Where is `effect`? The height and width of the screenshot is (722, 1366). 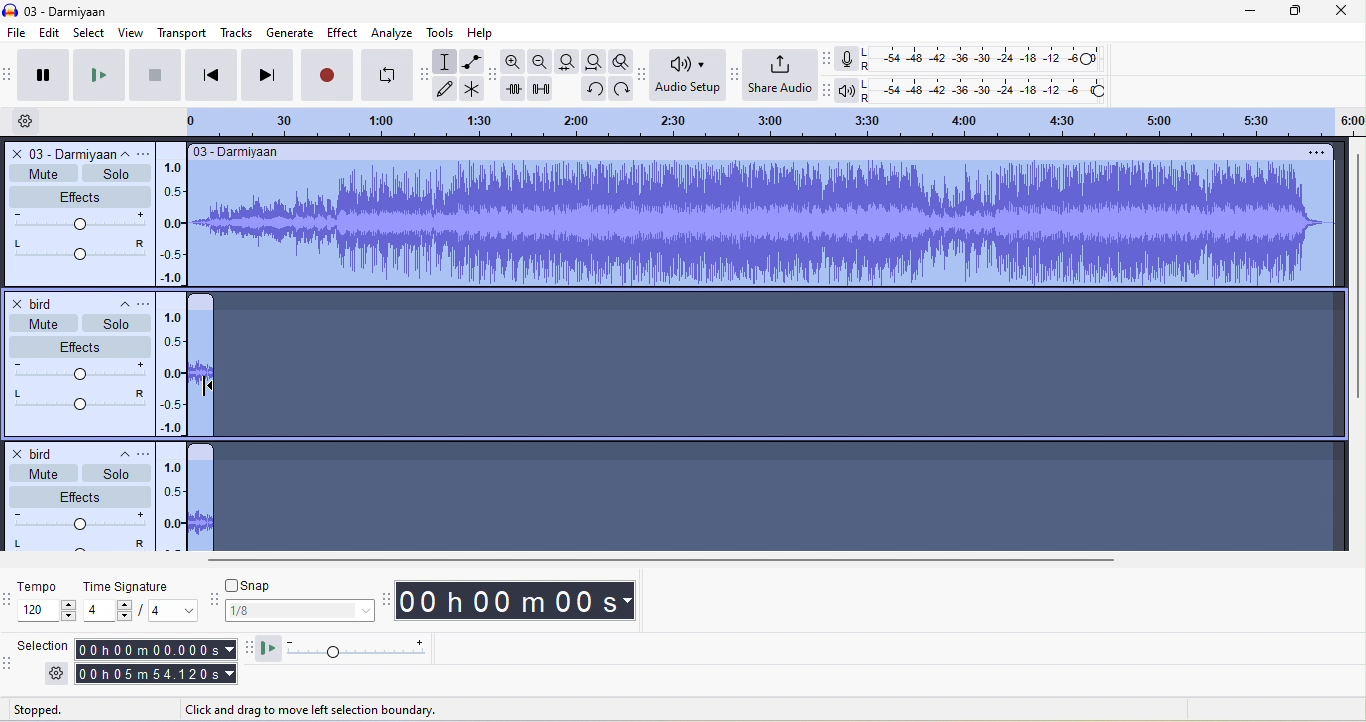 effect is located at coordinates (80, 345).